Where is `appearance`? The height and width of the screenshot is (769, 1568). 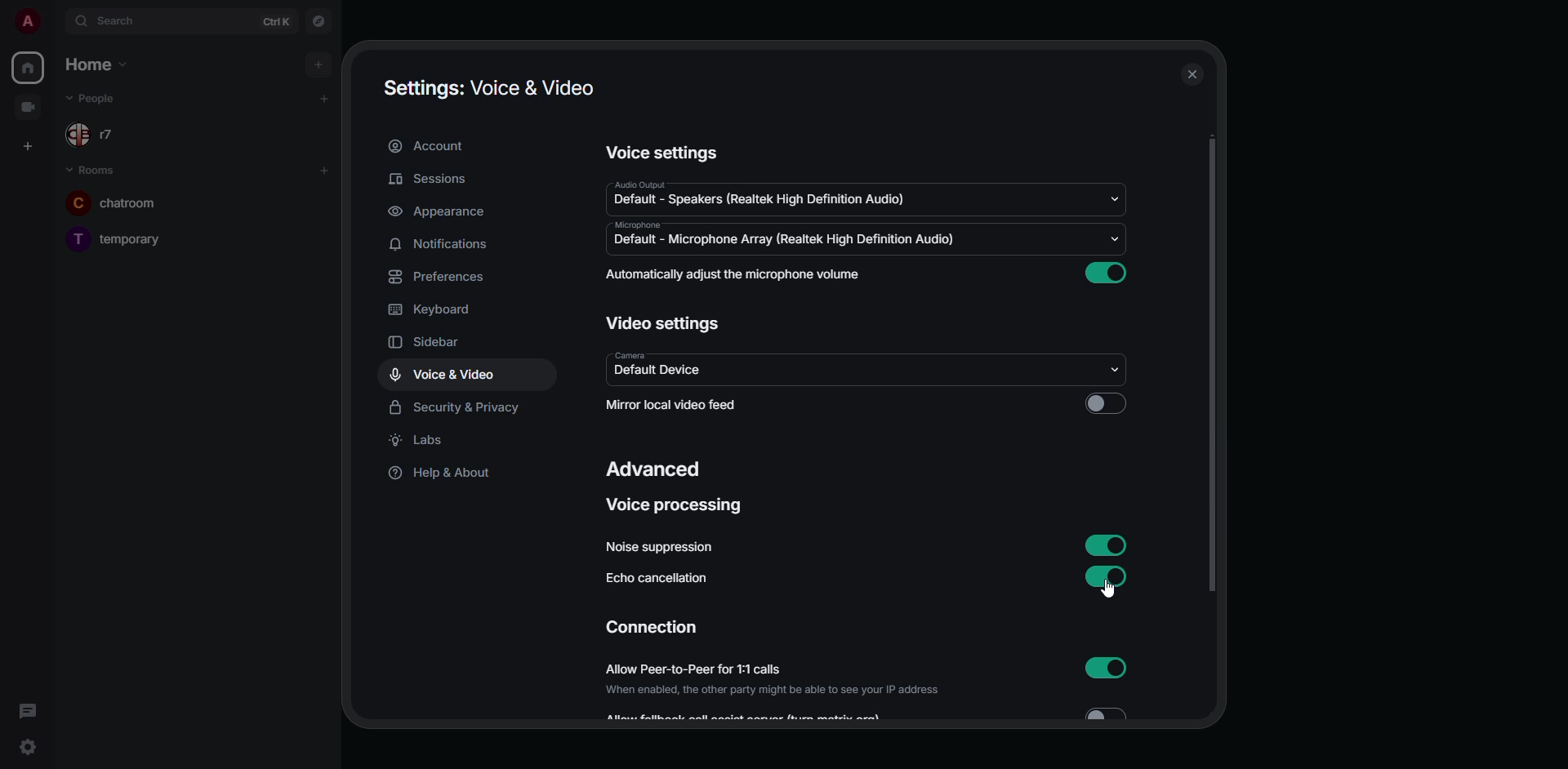
appearance is located at coordinates (437, 211).